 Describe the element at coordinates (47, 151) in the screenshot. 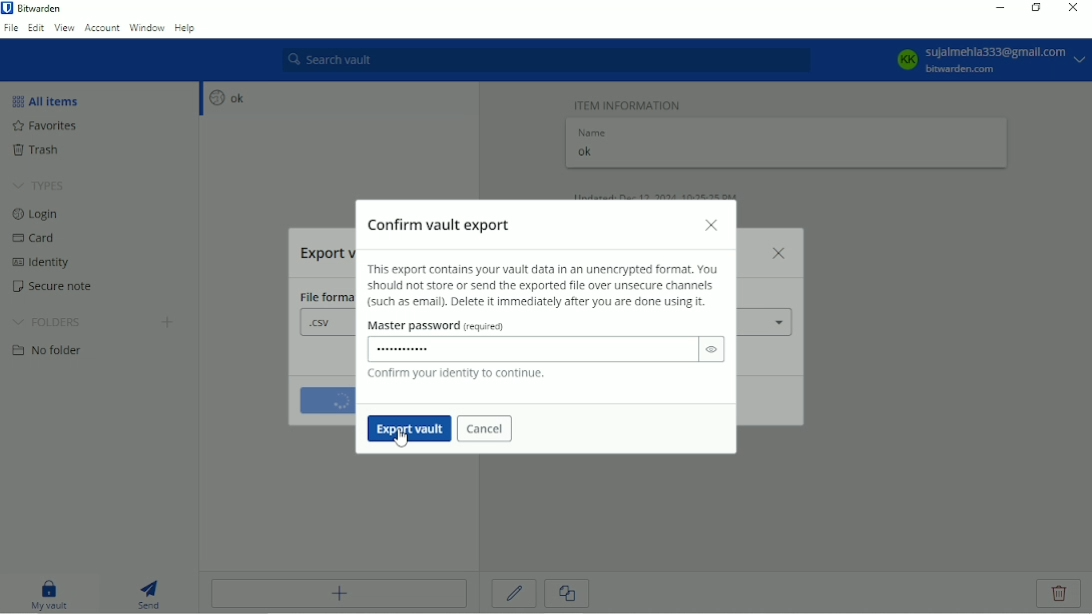

I see `Trash` at that location.